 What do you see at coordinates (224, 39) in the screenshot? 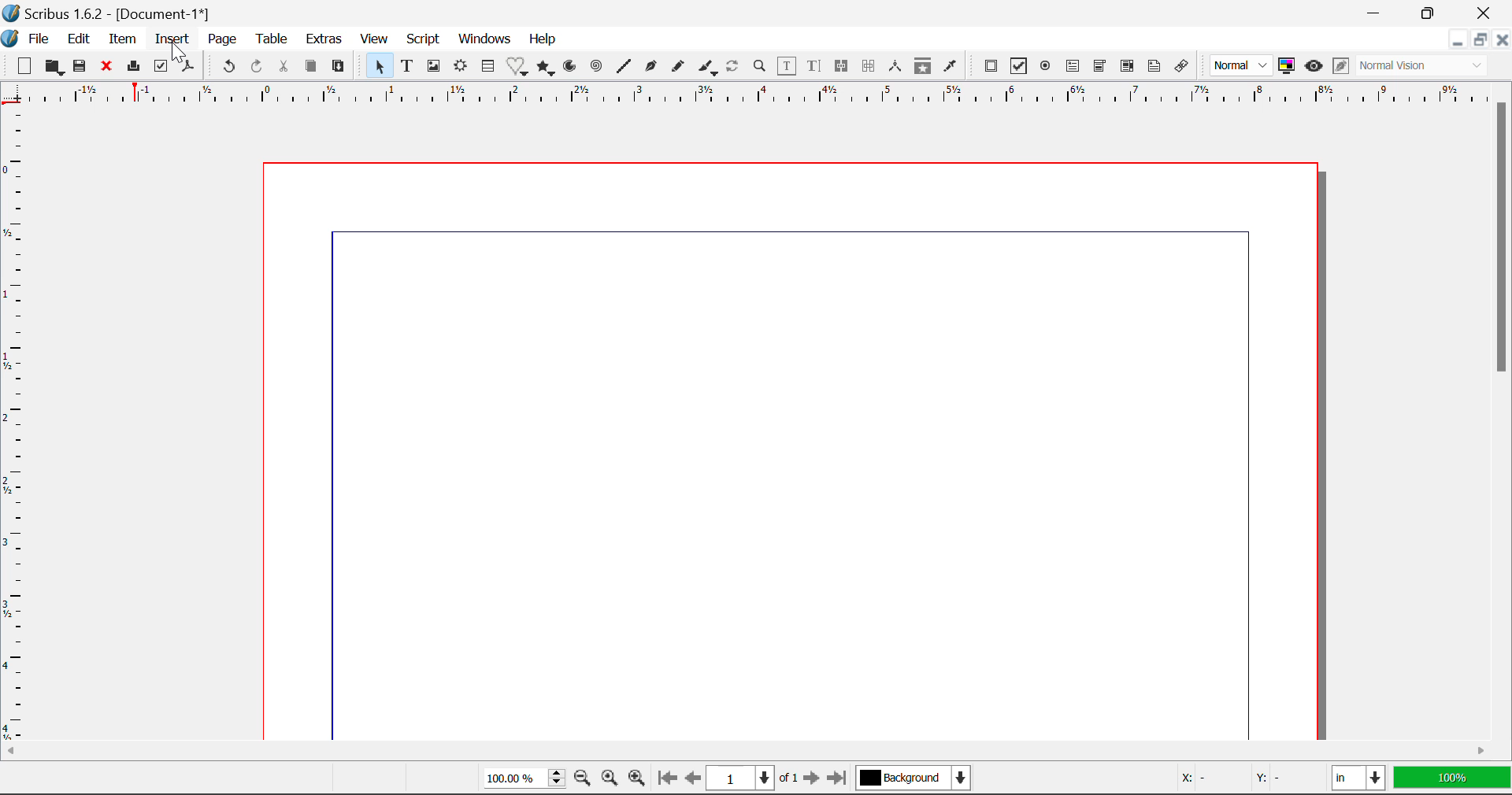
I see `Page` at bounding box center [224, 39].